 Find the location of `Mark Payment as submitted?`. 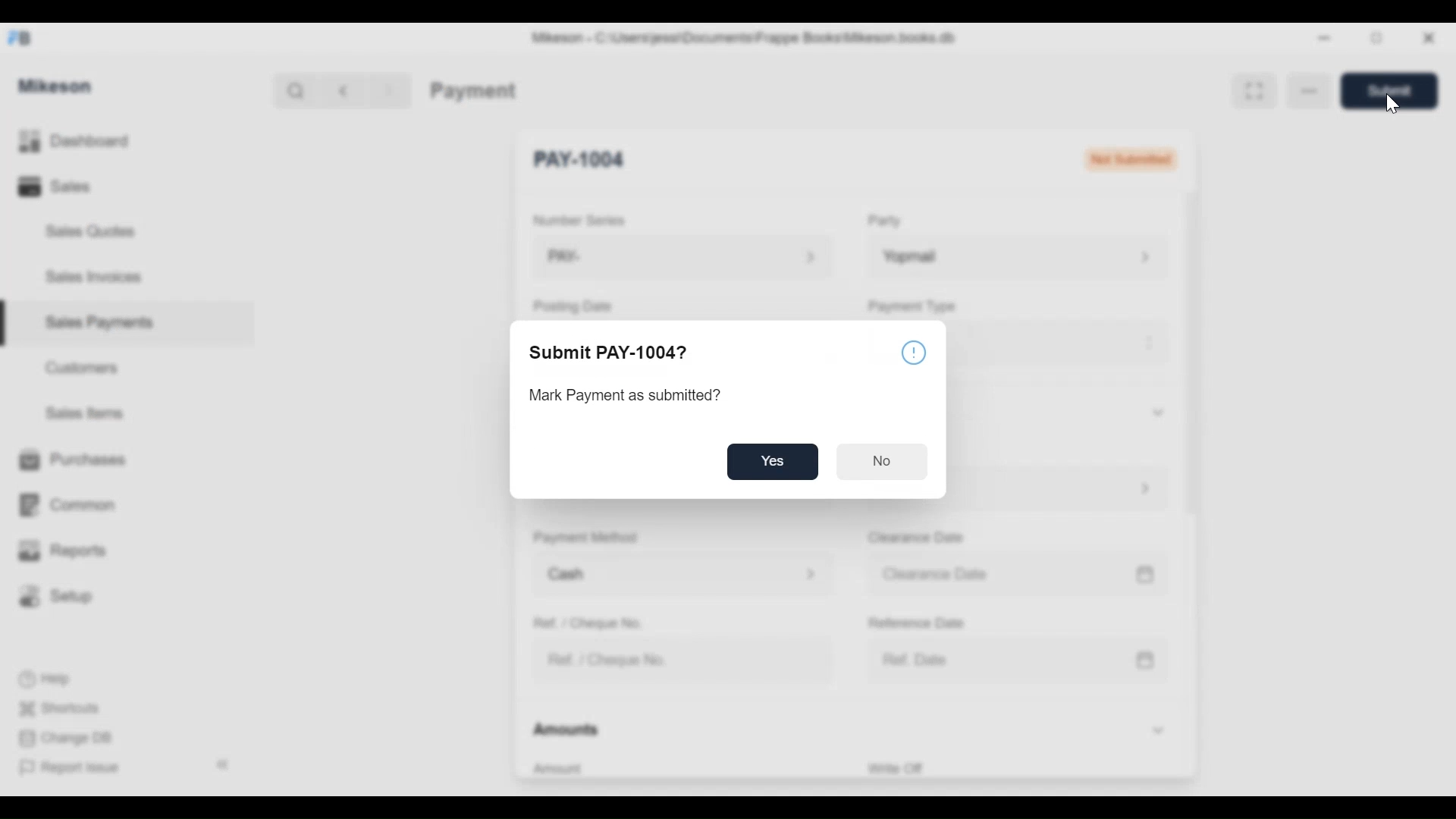

Mark Payment as submitted? is located at coordinates (625, 397).